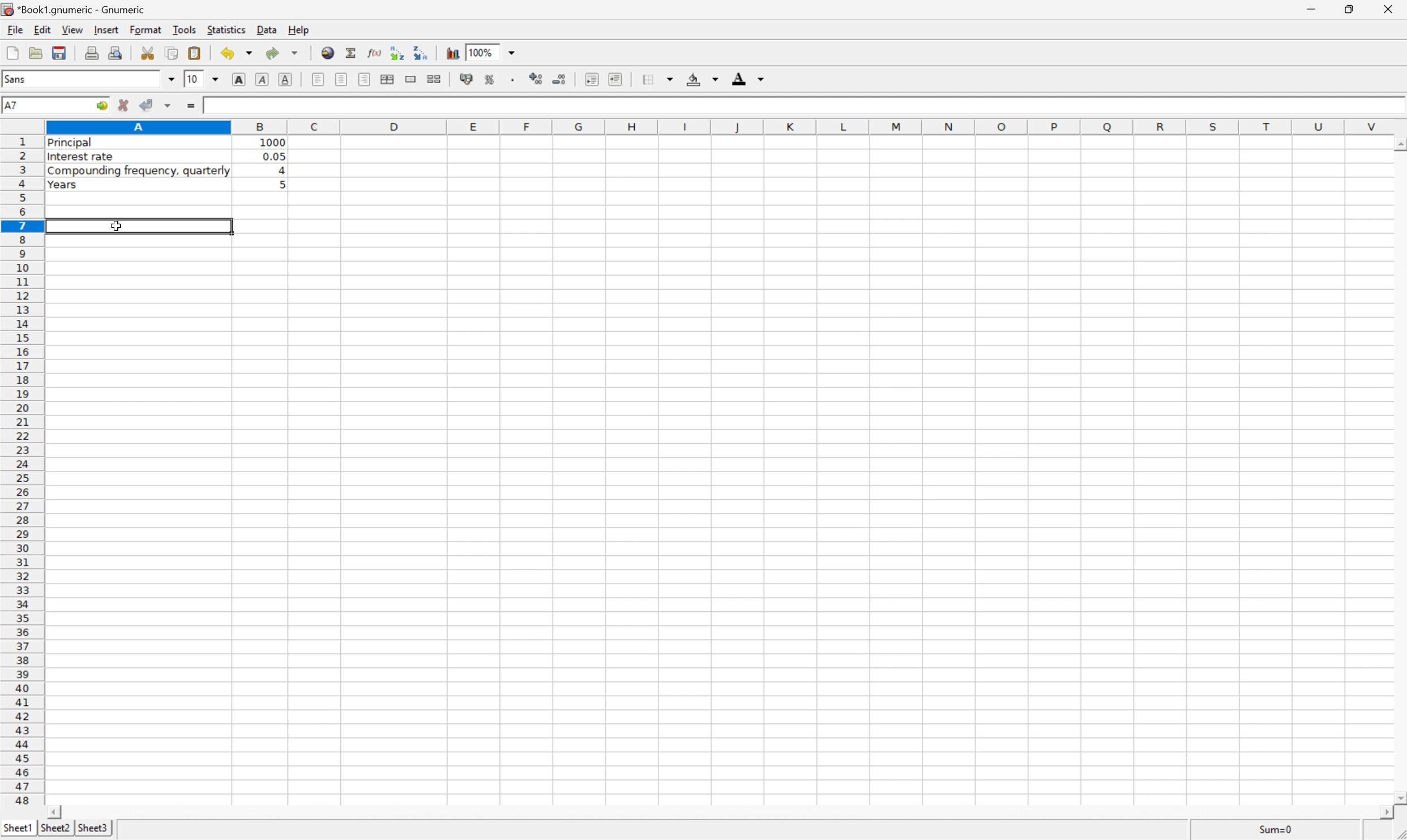  I want to click on accept changes, so click(146, 103).